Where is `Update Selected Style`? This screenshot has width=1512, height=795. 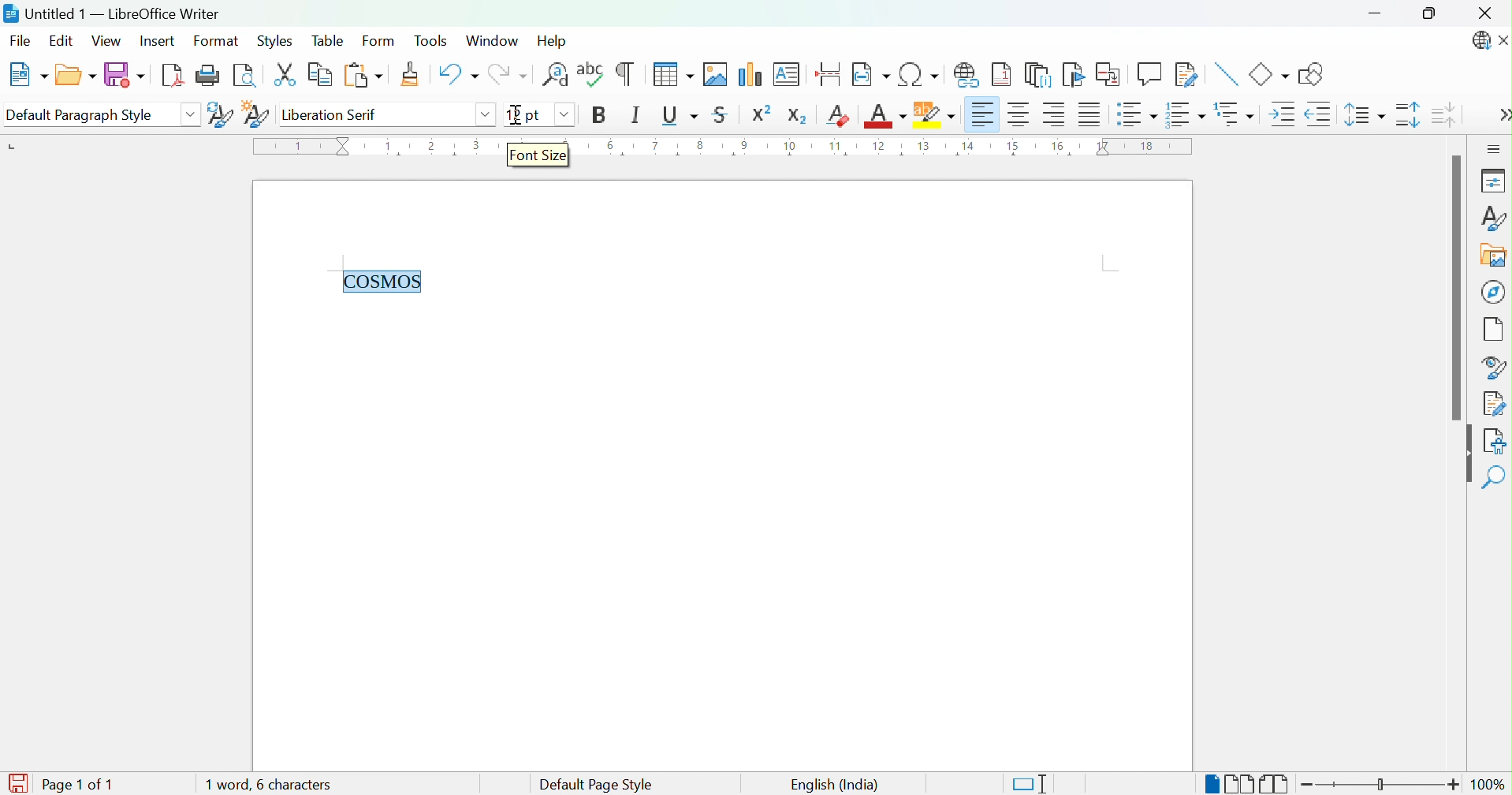
Update Selected Style is located at coordinates (218, 114).